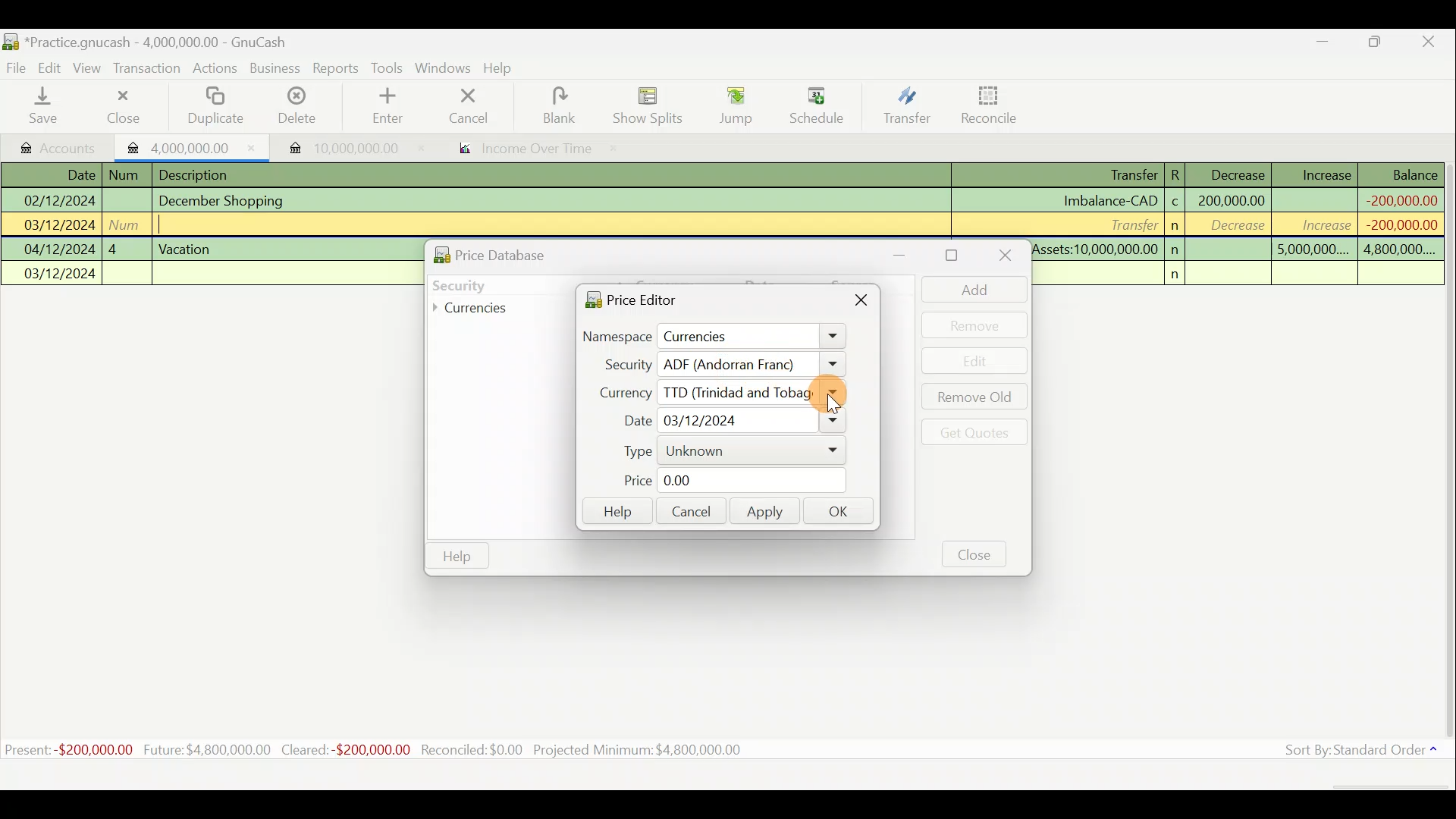 This screenshot has width=1456, height=819. I want to click on 04/12/2024, so click(60, 249).